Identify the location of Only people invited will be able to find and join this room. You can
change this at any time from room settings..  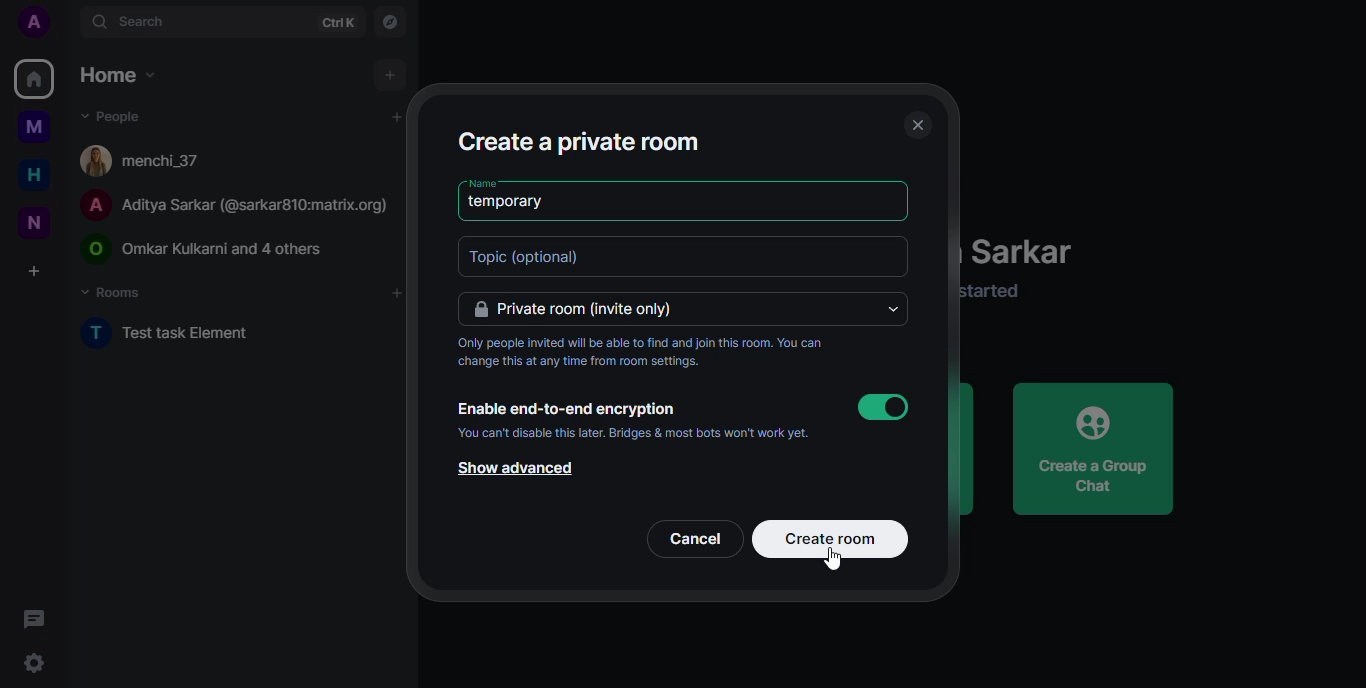
(641, 355).